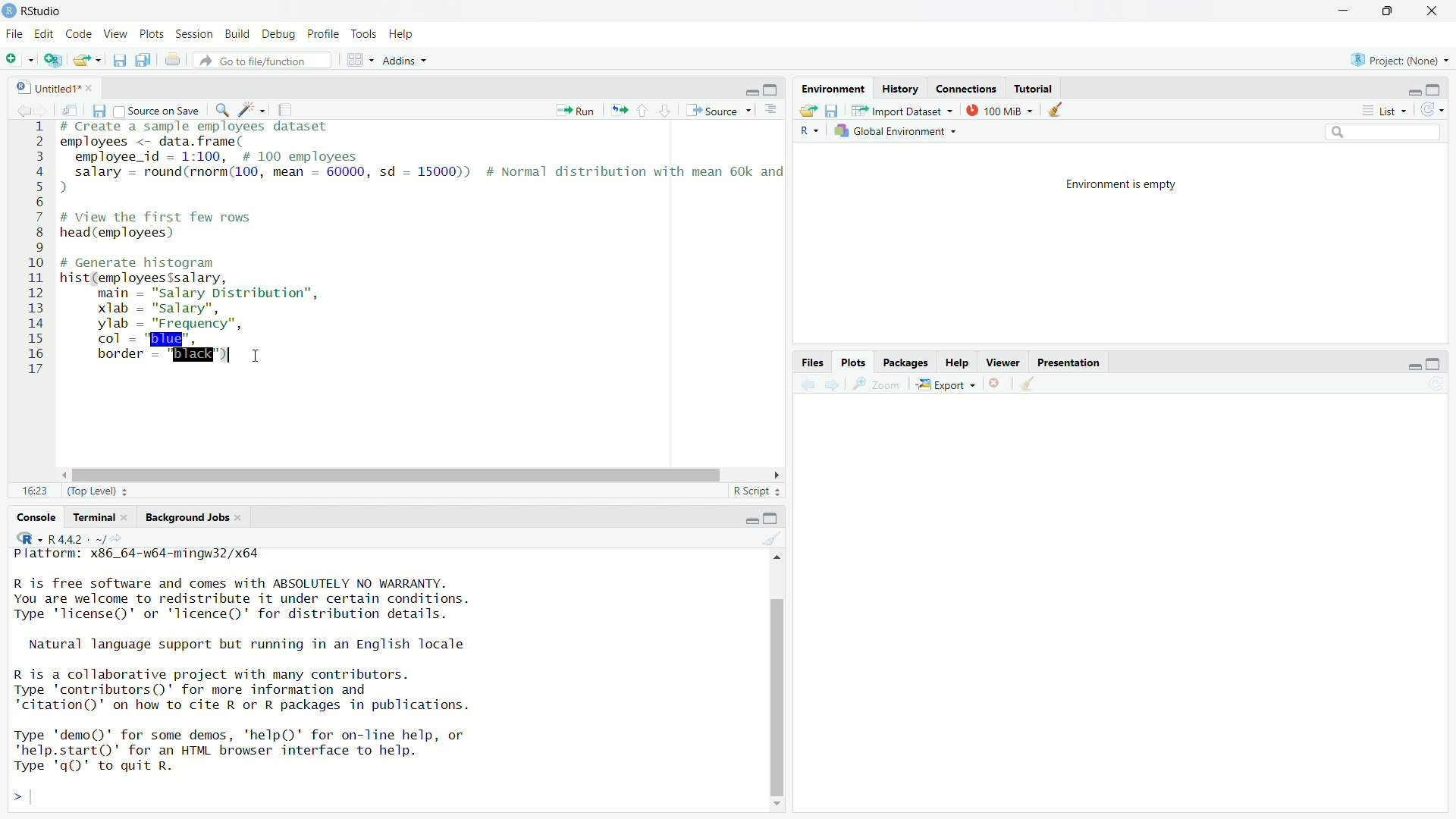  I want to click on reload, so click(1433, 109).